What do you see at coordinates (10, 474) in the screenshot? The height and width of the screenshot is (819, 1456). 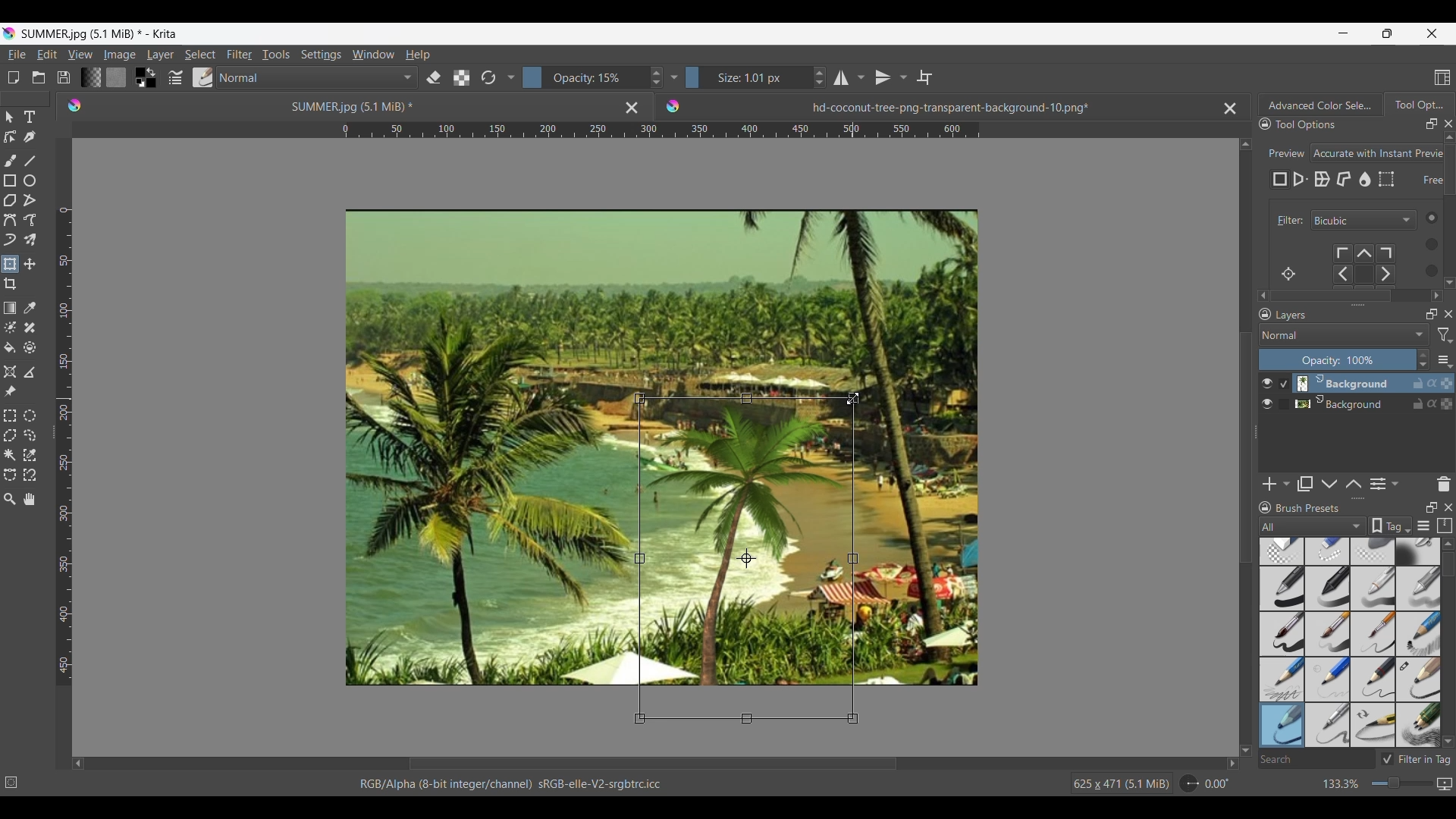 I see `Bezier curve selection tool` at bounding box center [10, 474].